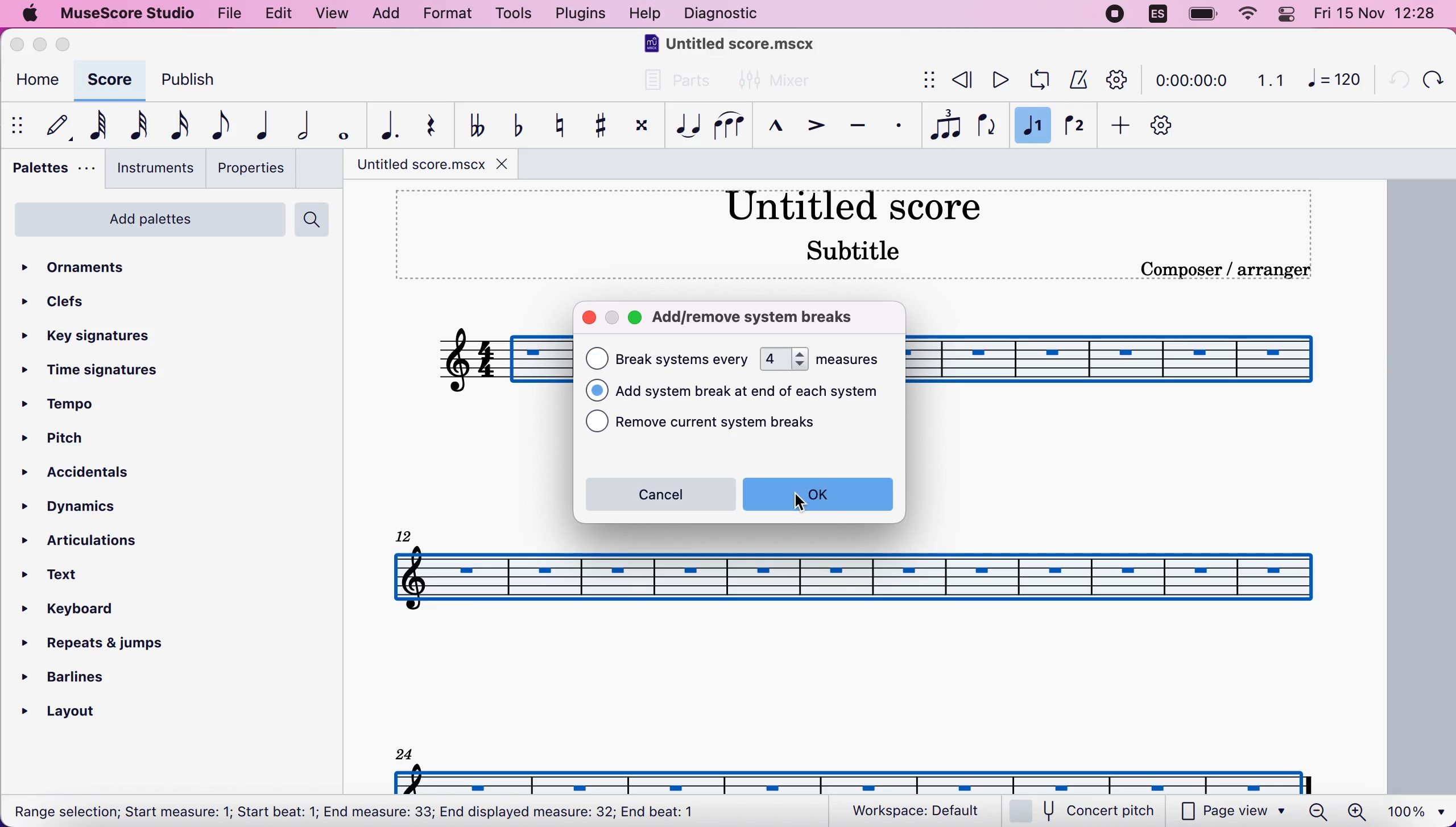  I want to click on 64th note, so click(98, 125).